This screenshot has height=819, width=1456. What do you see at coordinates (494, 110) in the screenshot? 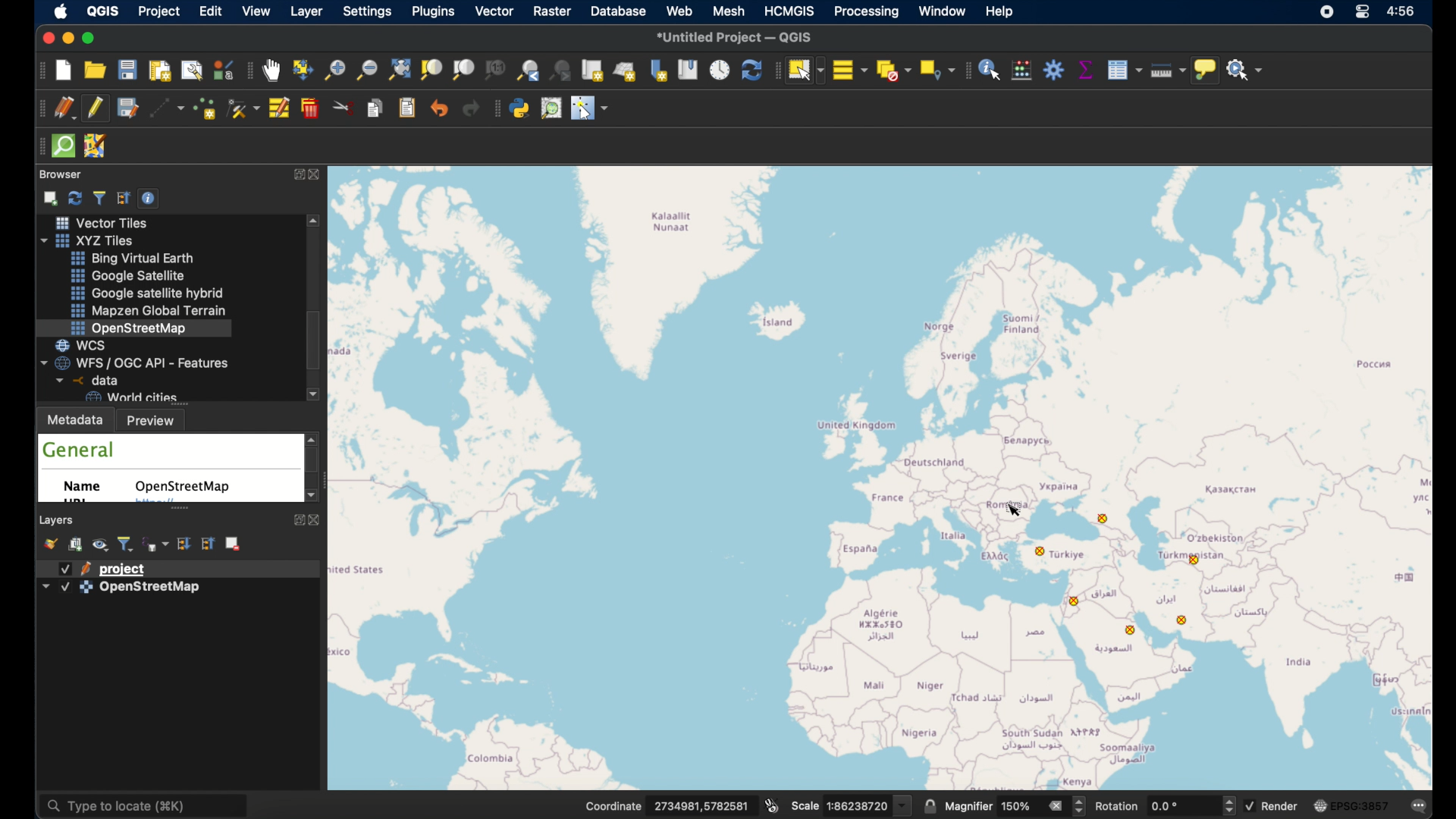
I see `plugins toolbar` at bounding box center [494, 110].